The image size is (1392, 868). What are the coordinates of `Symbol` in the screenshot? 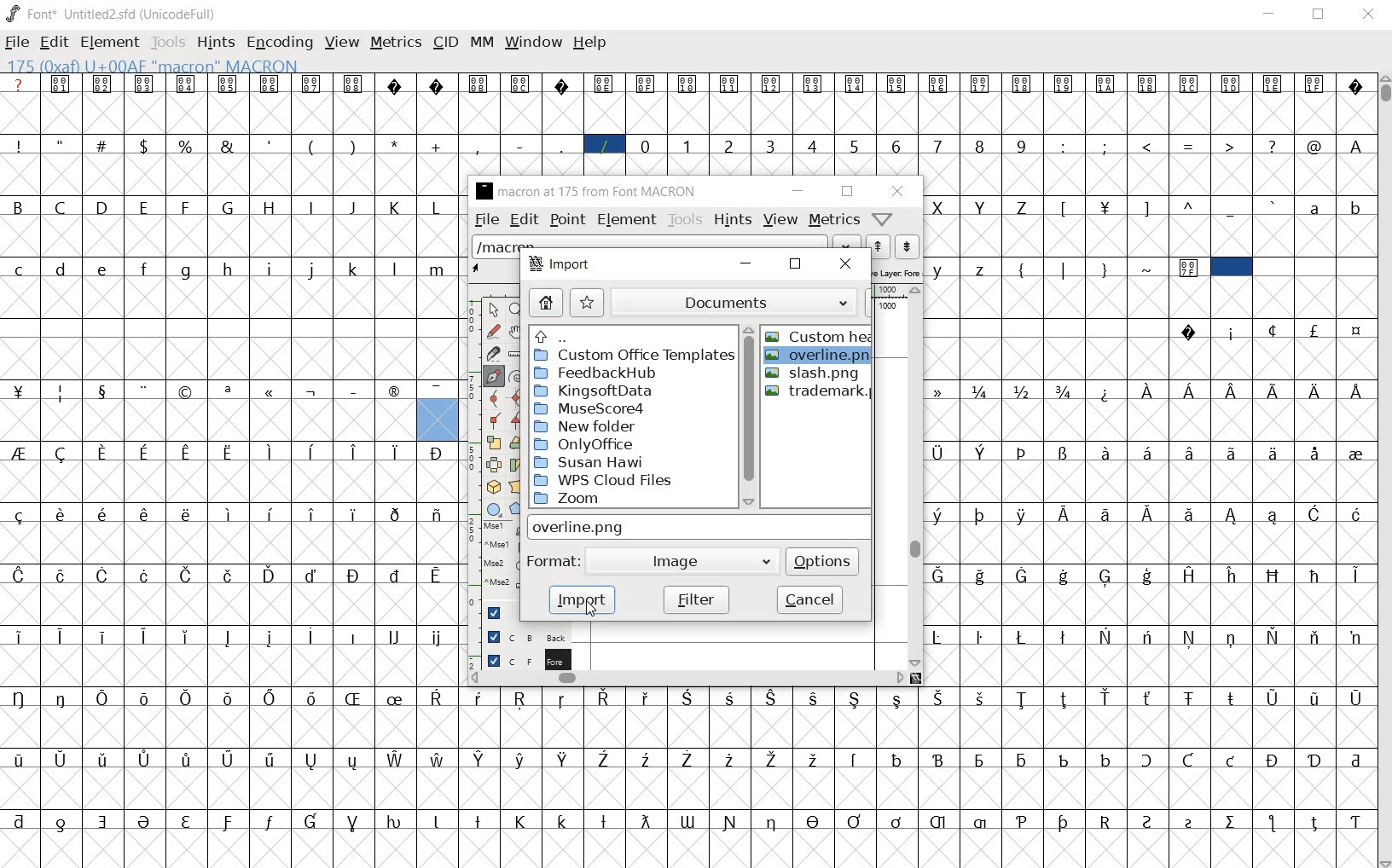 It's located at (1354, 820).